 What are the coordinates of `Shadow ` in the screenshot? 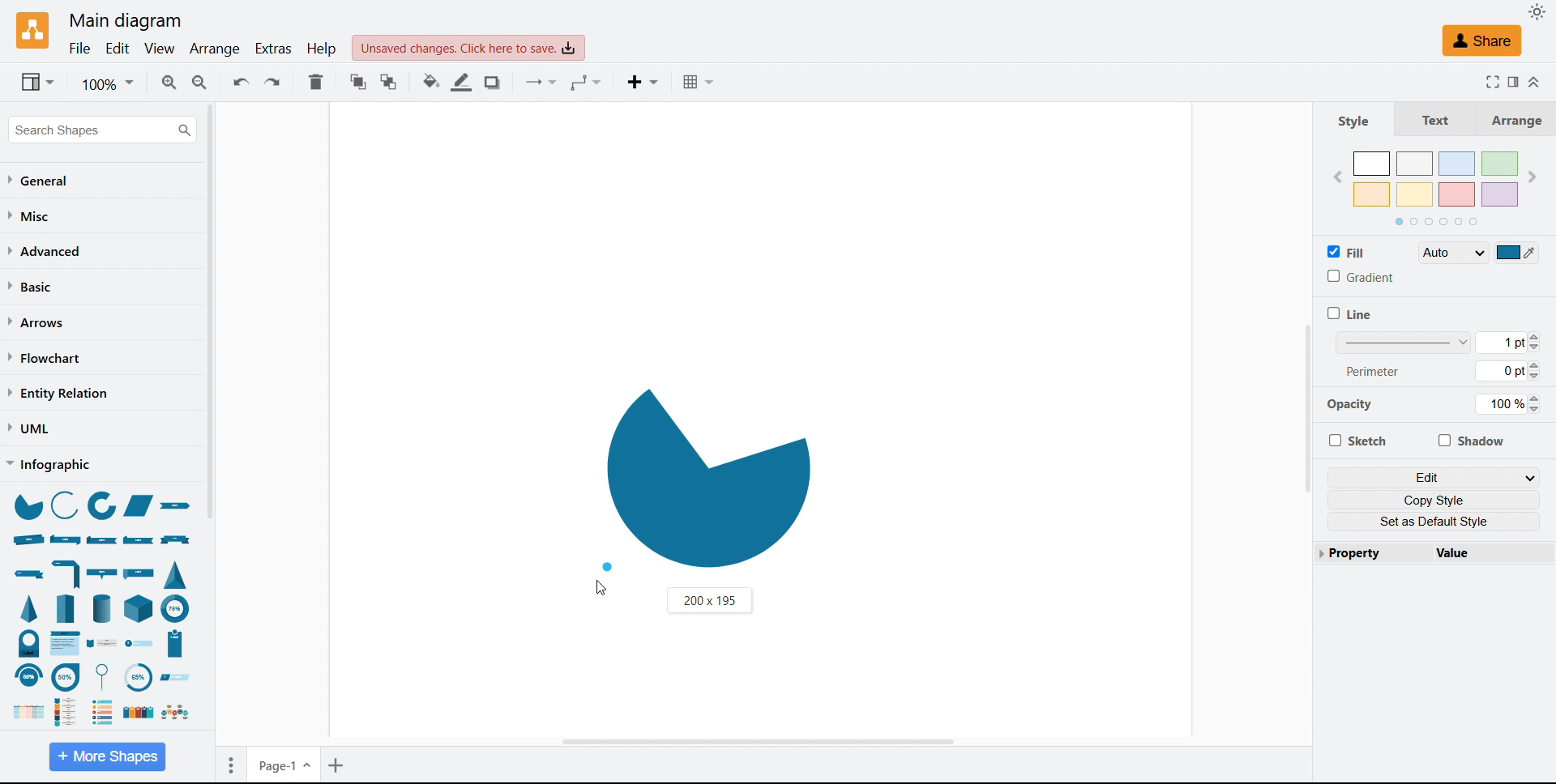 It's located at (495, 83).